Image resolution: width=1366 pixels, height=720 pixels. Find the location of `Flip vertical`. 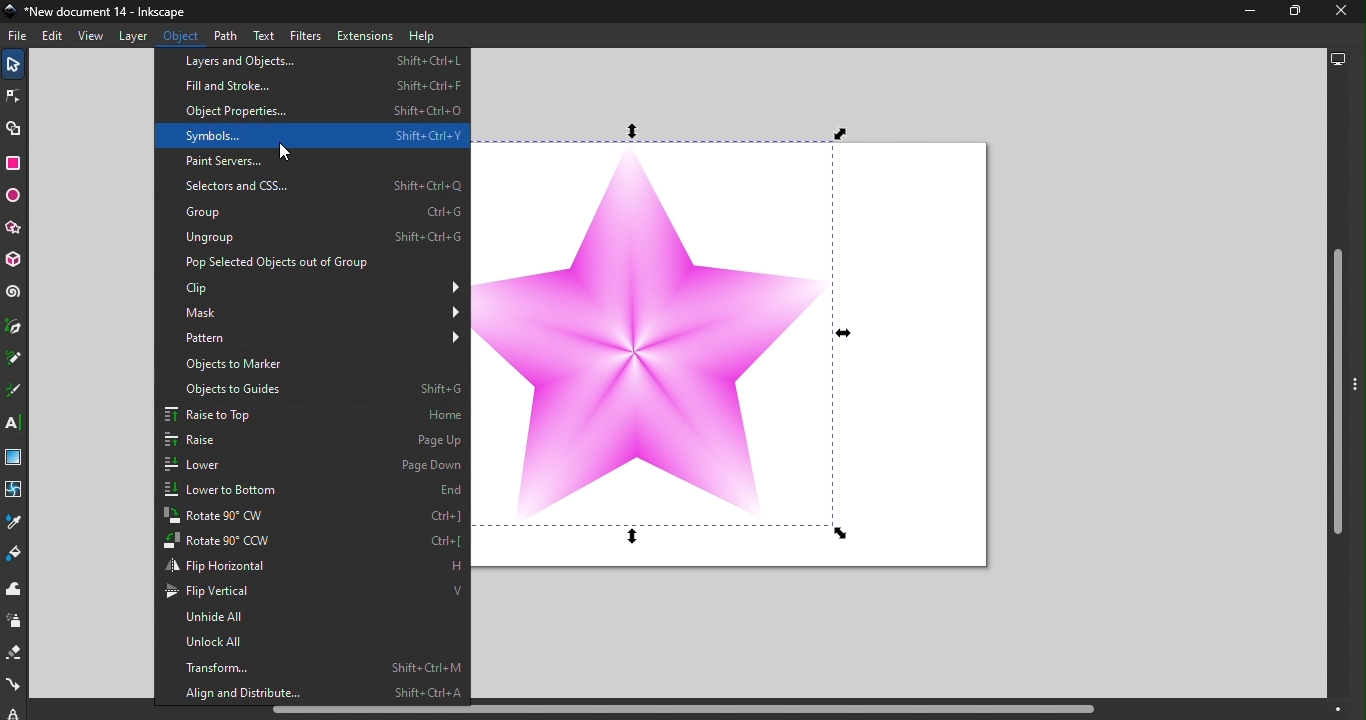

Flip vertical is located at coordinates (313, 591).